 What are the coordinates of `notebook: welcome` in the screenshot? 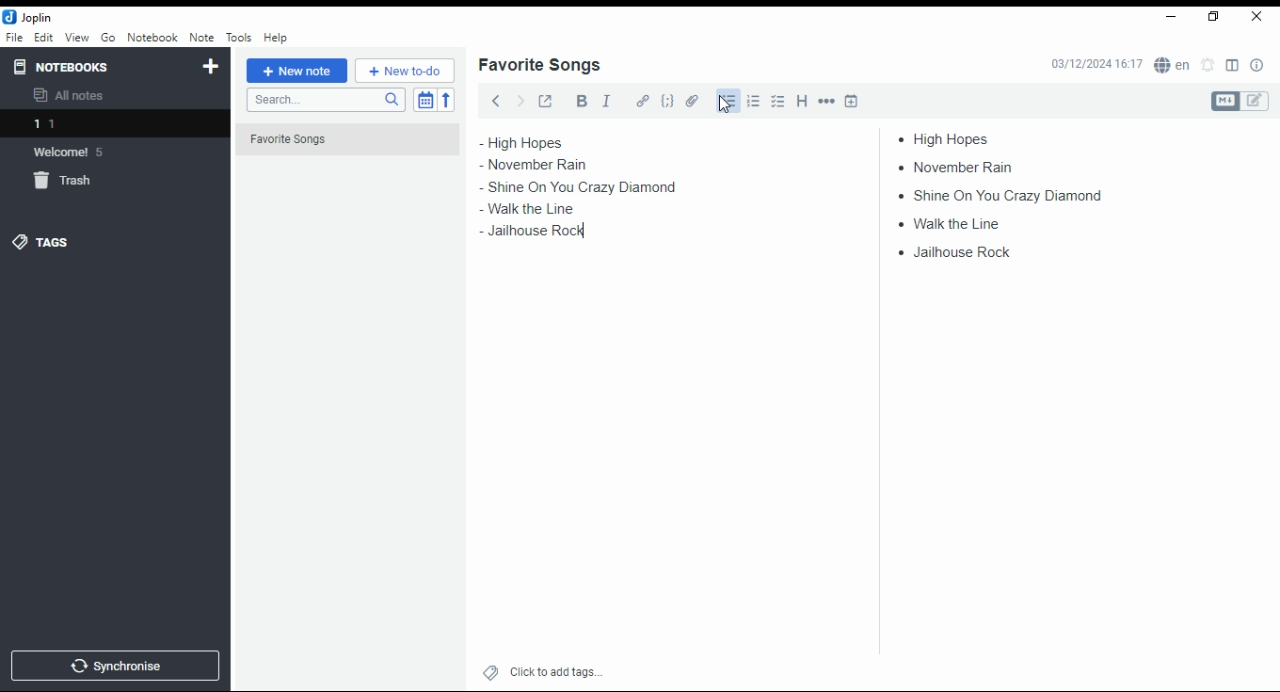 It's located at (73, 151).